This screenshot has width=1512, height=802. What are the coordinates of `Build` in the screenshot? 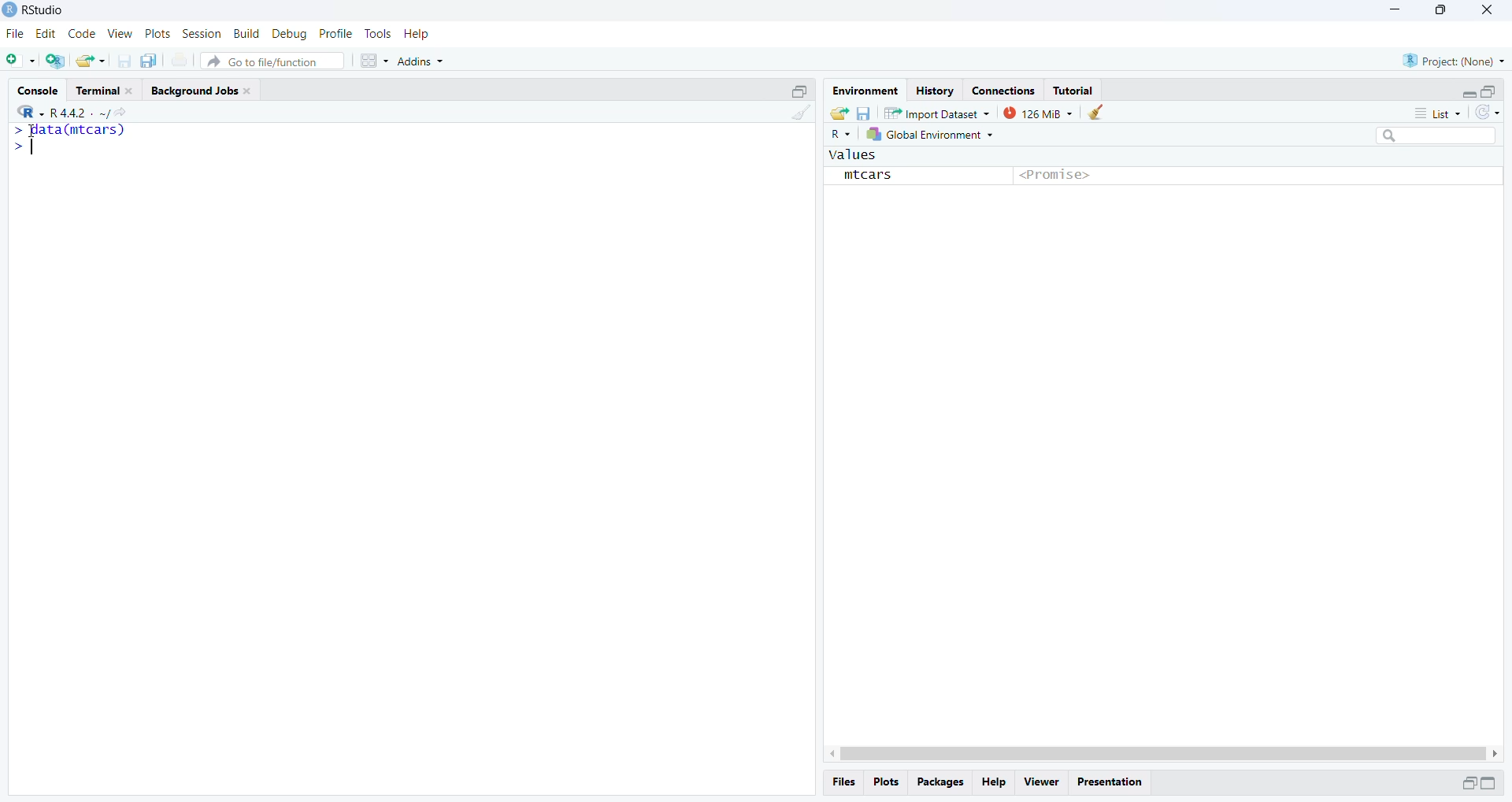 It's located at (246, 33).